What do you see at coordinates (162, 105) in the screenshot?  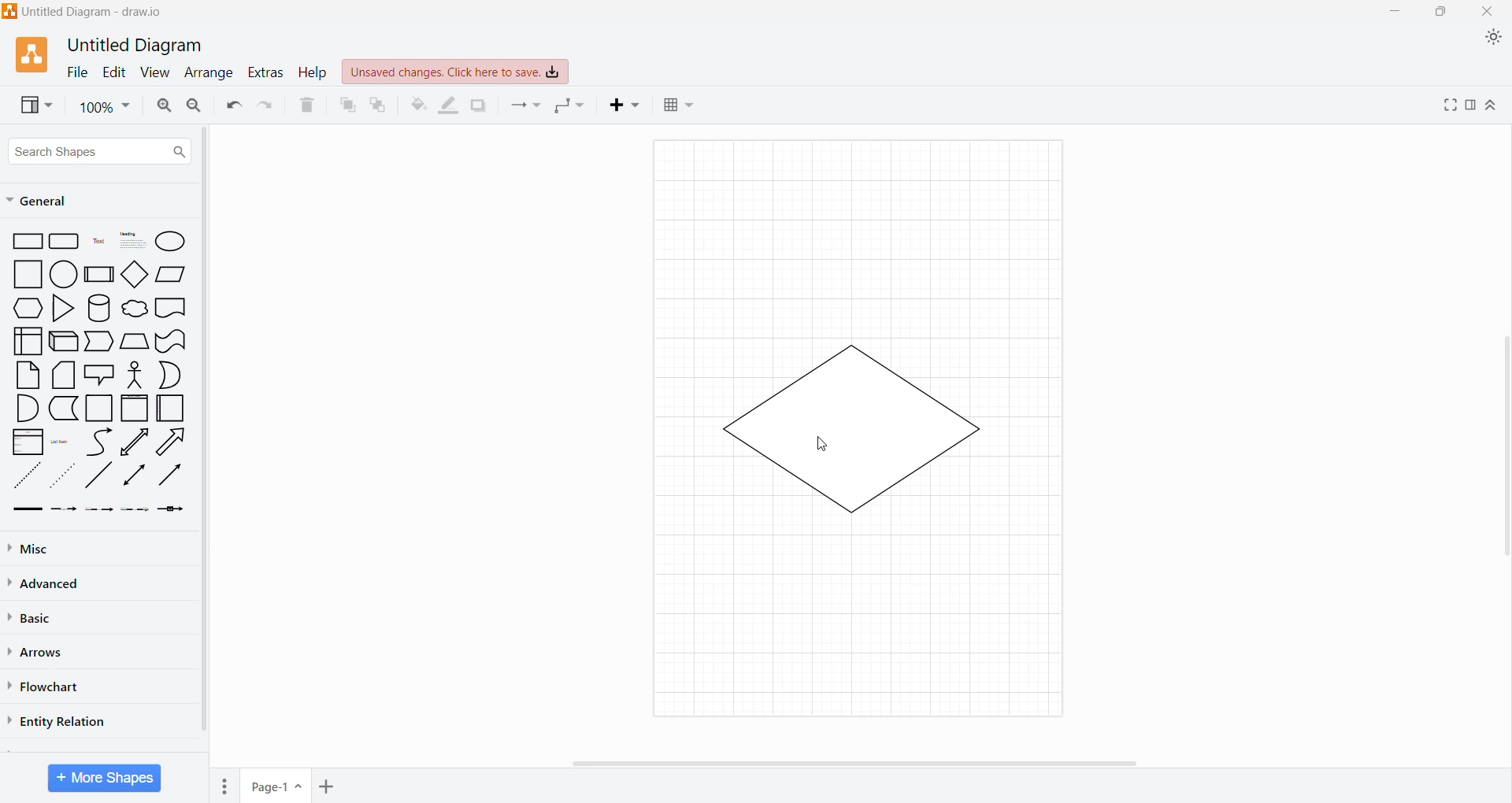 I see `Zoom In` at bounding box center [162, 105].